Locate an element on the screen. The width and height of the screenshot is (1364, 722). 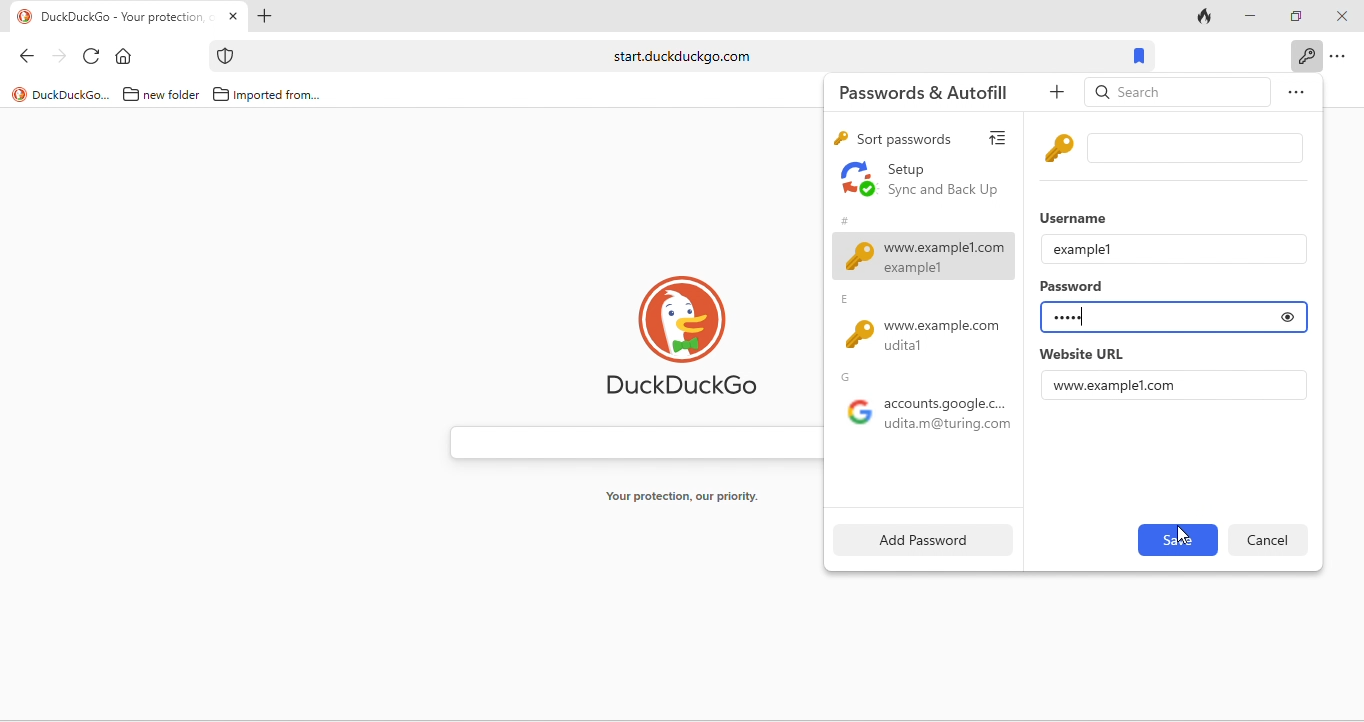
search is located at coordinates (1178, 94).